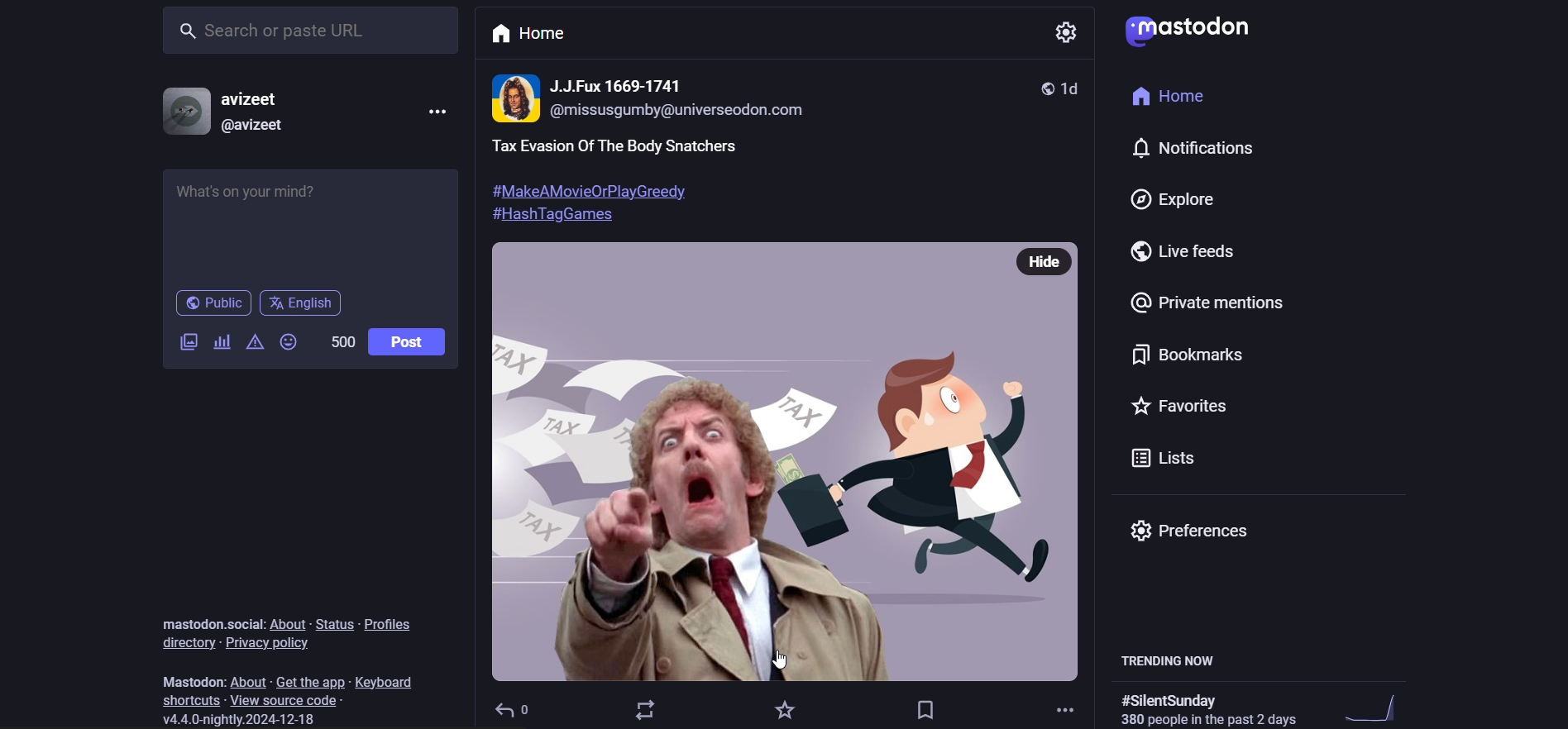 Image resolution: width=1568 pixels, height=729 pixels. What do you see at coordinates (184, 112) in the screenshot?
I see `profile picture` at bounding box center [184, 112].